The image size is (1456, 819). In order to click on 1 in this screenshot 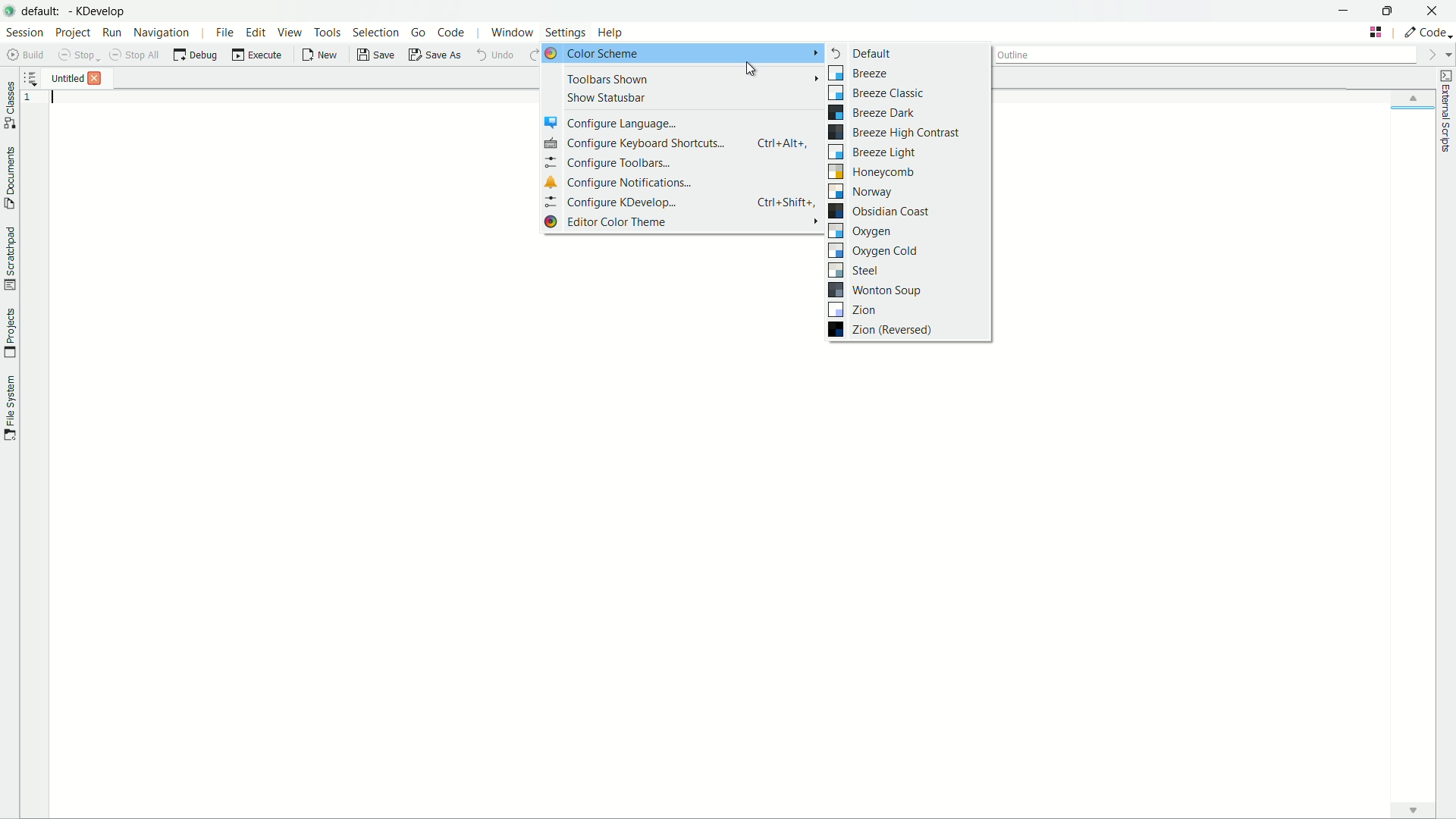, I will do `click(34, 99)`.